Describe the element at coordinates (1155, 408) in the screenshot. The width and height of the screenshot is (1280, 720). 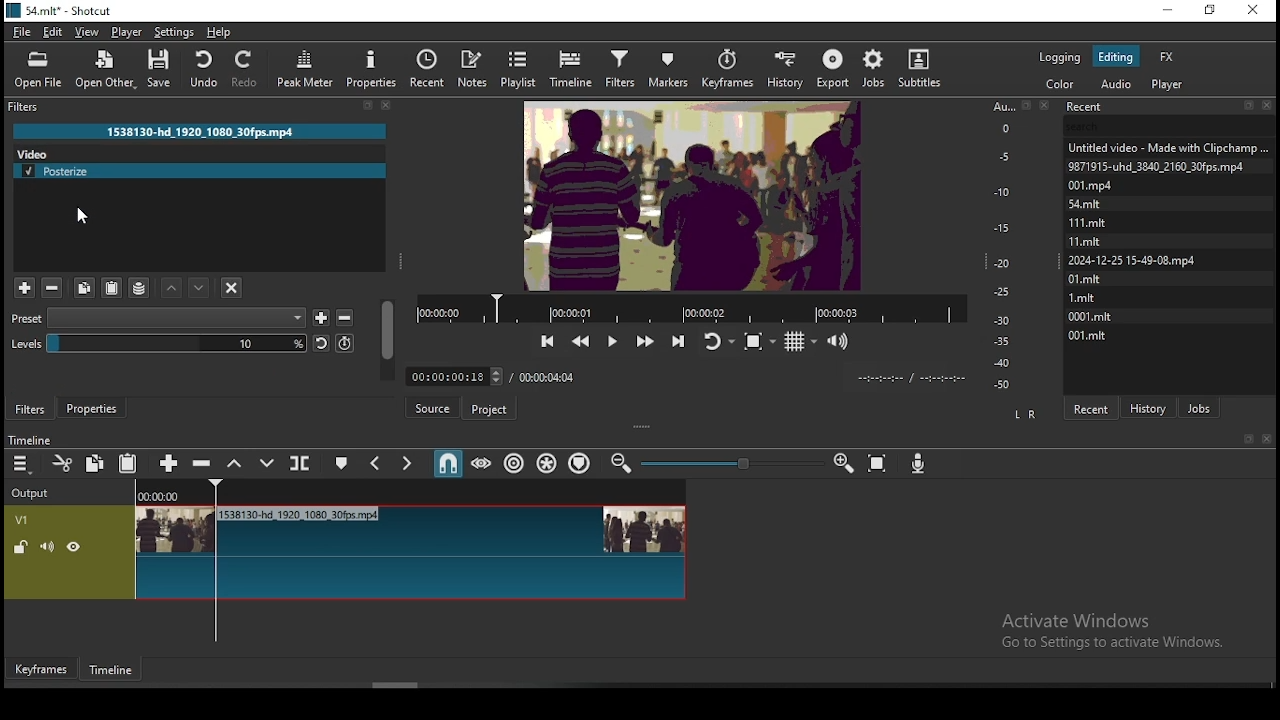
I see `history` at that location.